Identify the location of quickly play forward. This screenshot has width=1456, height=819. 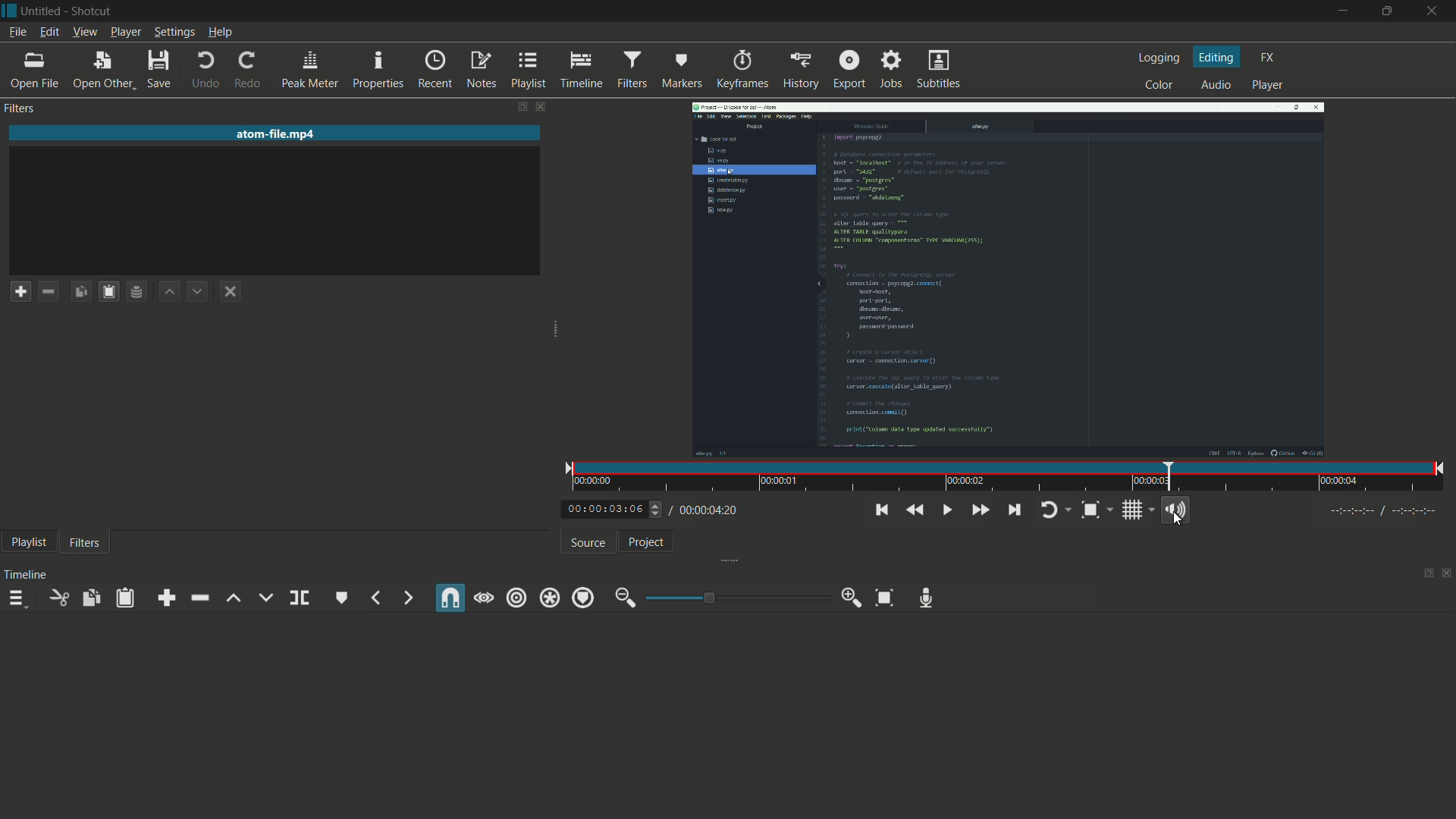
(977, 510).